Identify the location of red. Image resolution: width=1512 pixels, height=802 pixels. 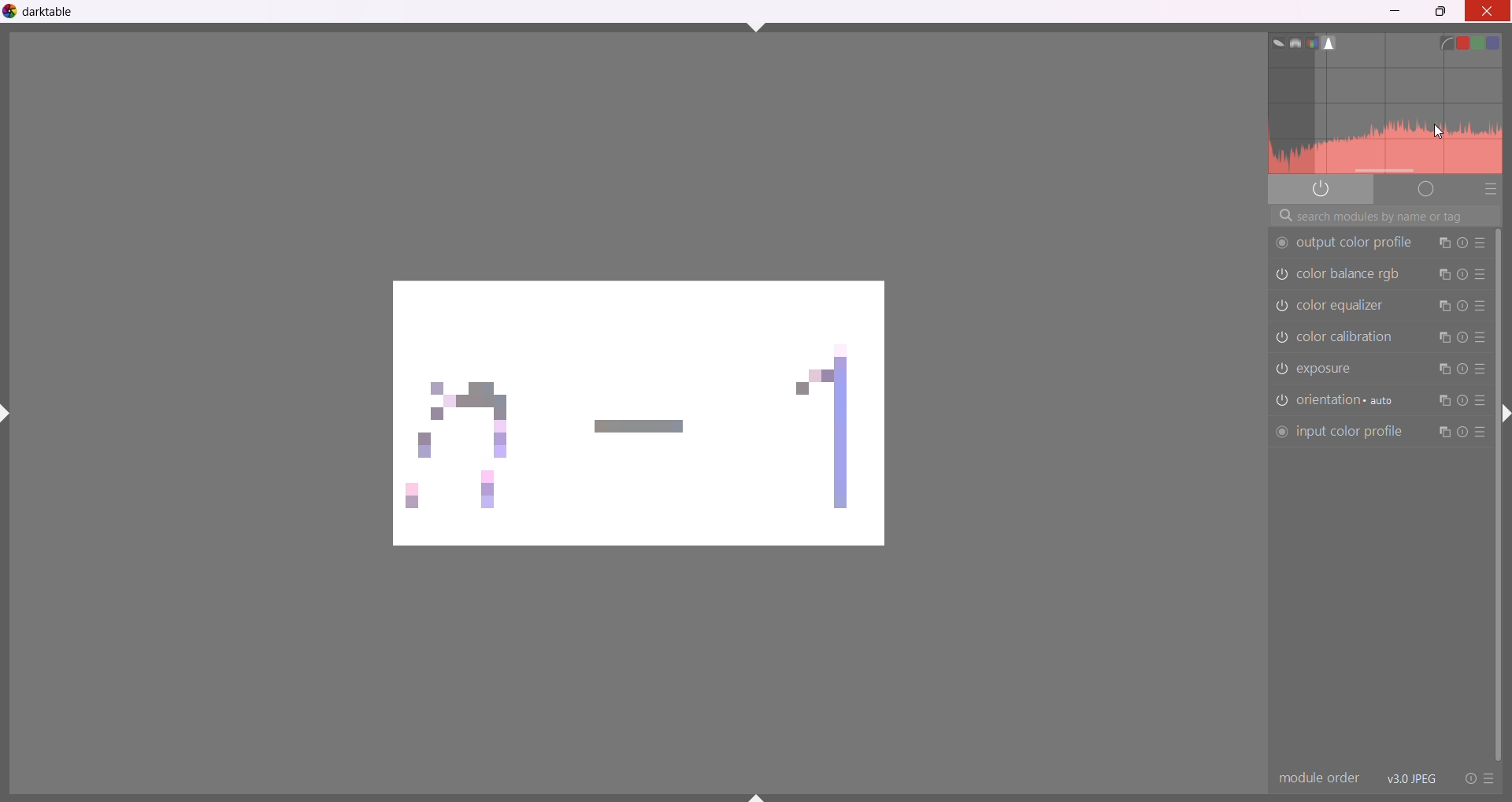
(1465, 39).